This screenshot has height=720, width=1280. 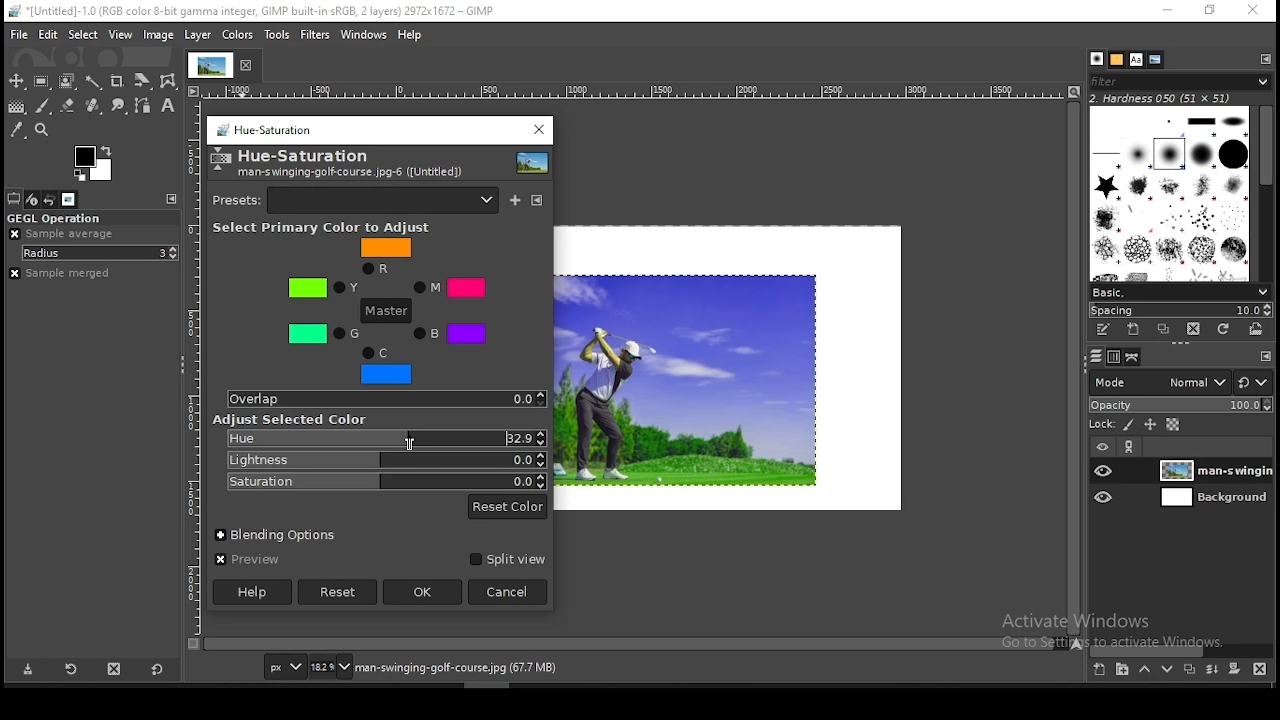 What do you see at coordinates (83, 33) in the screenshot?
I see `select` at bounding box center [83, 33].